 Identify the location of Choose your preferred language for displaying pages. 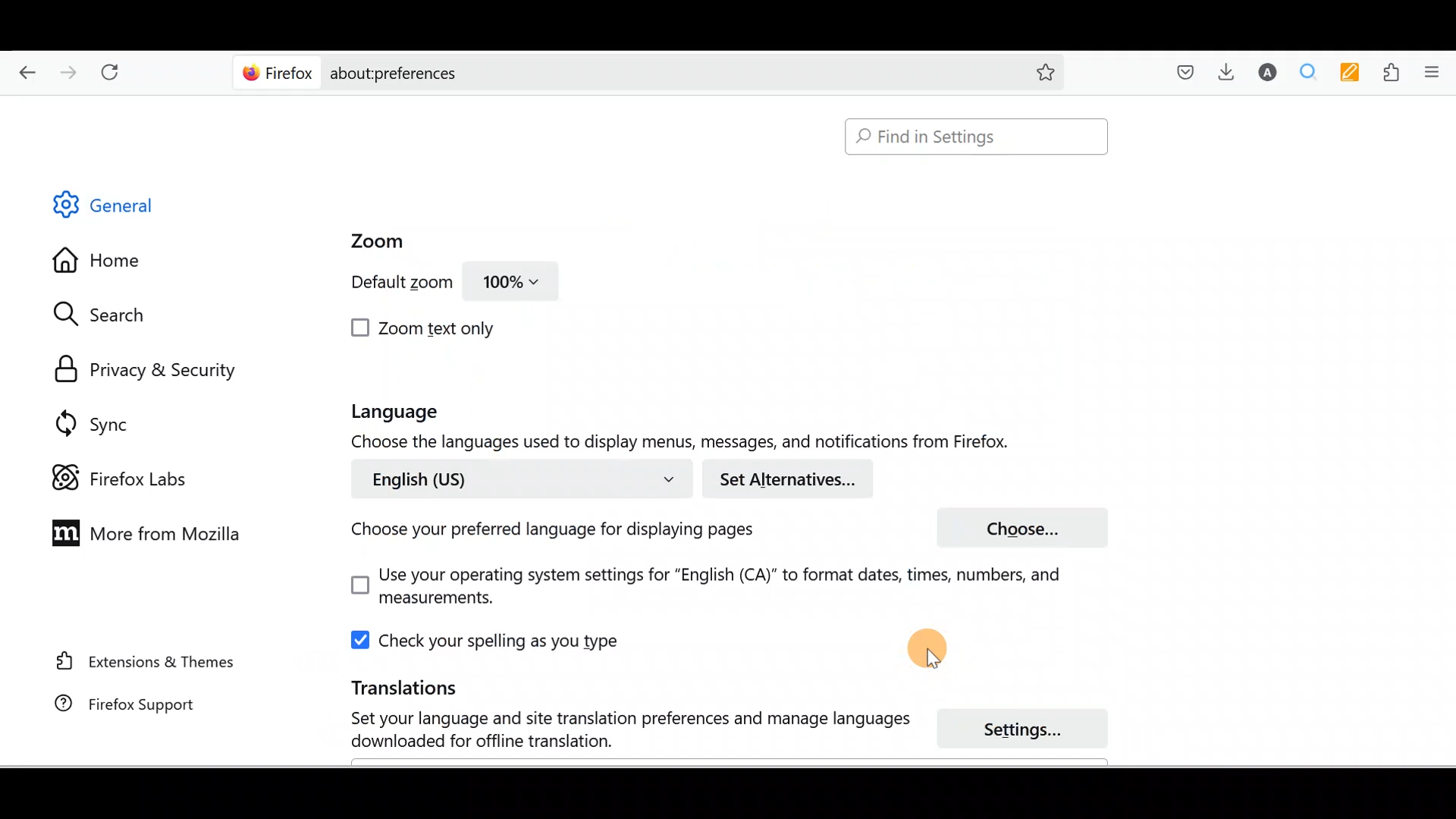
(547, 533).